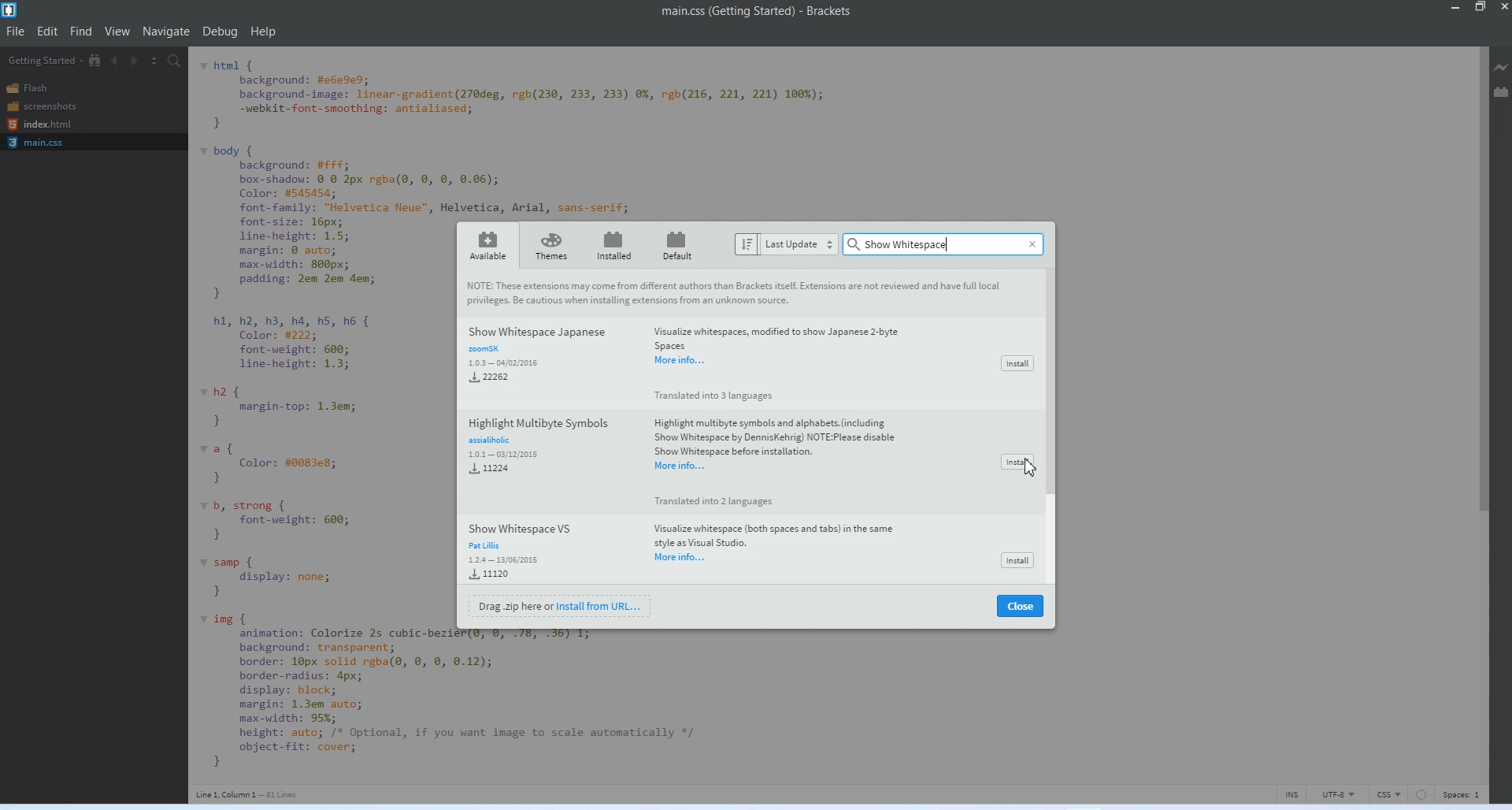 The width and height of the screenshot is (1512, 810). Describe the element at coordinates (1456, 8) in the screenshot. I see `Minimize` at that location.